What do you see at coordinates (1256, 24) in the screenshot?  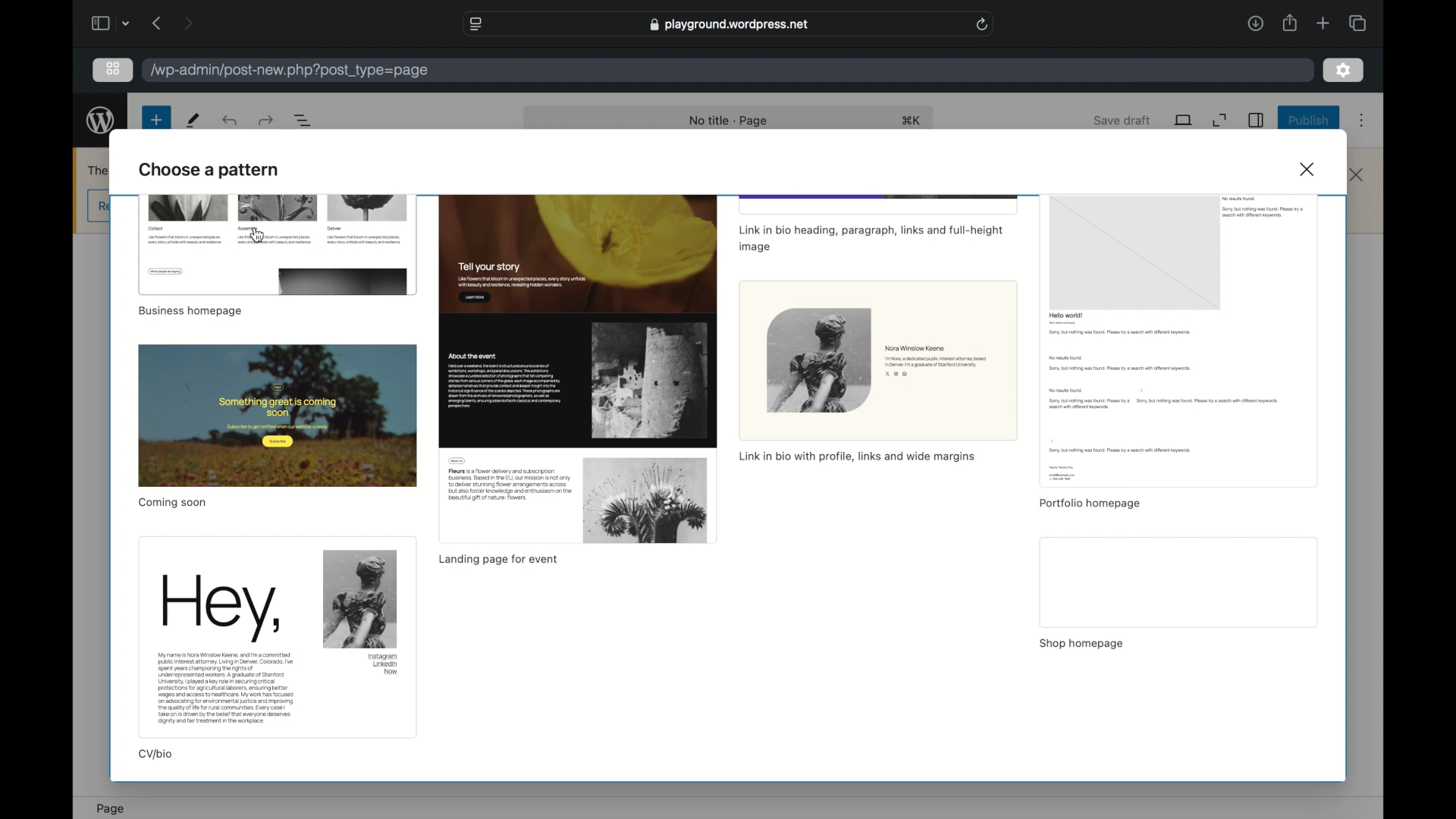 I see `downloads` at bounding box center [1256, 24].